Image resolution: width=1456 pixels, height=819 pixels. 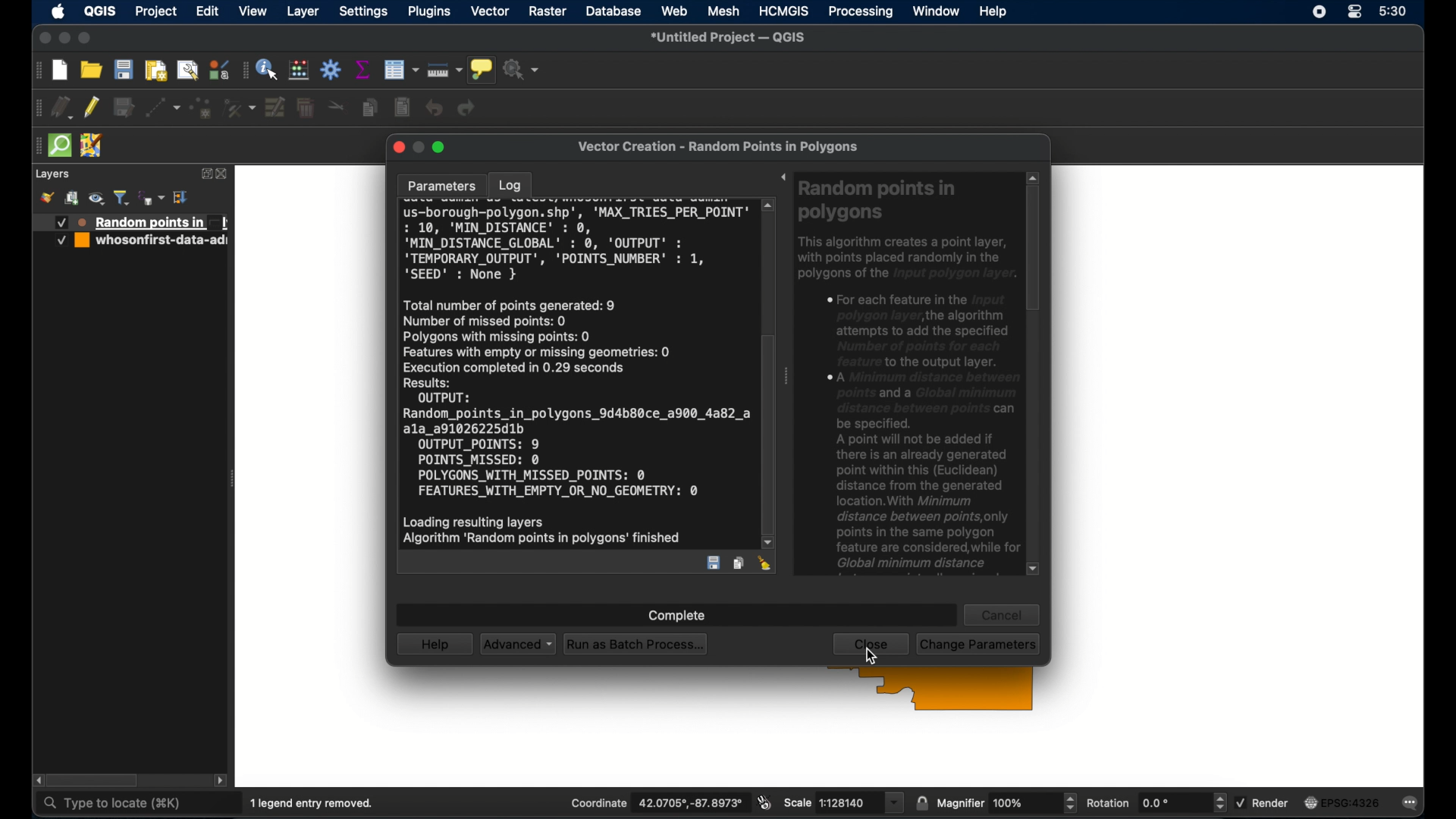 What do you see at coordinates (843, 802) in the screenshot?
I see `scale` at bounding box center [843, 802].